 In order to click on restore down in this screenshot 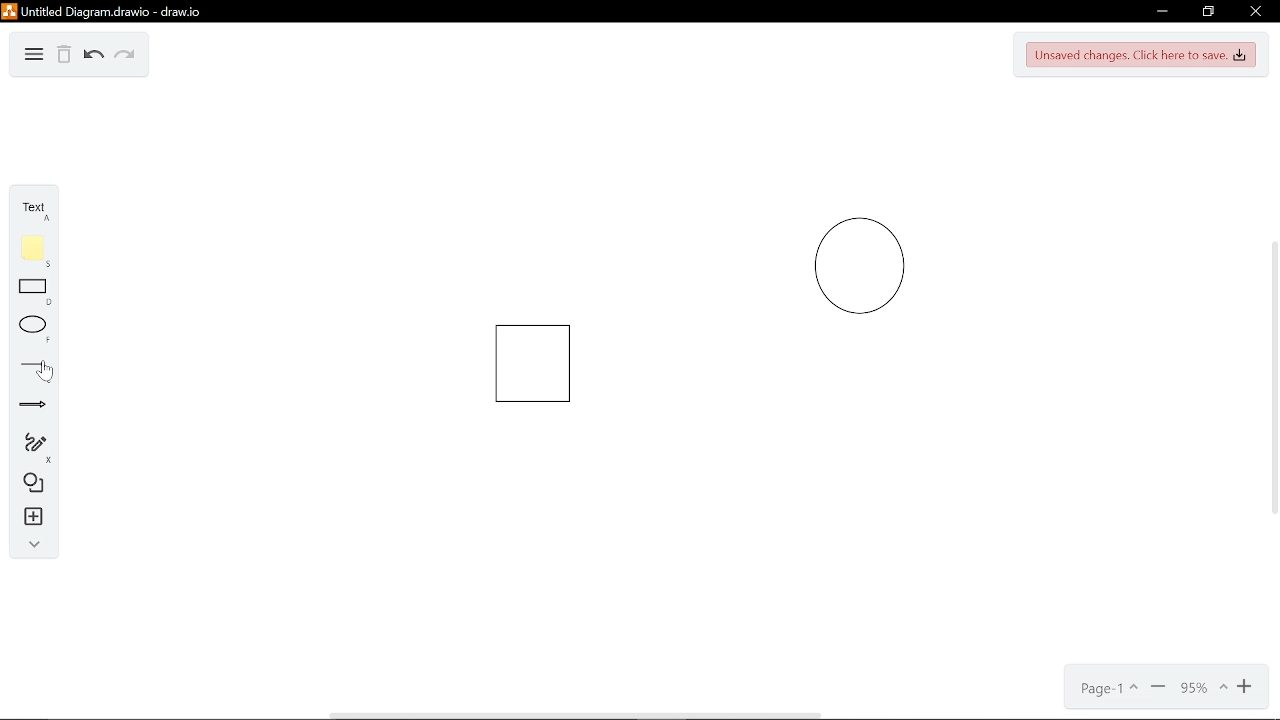, I will do `click(1206, 12)`.